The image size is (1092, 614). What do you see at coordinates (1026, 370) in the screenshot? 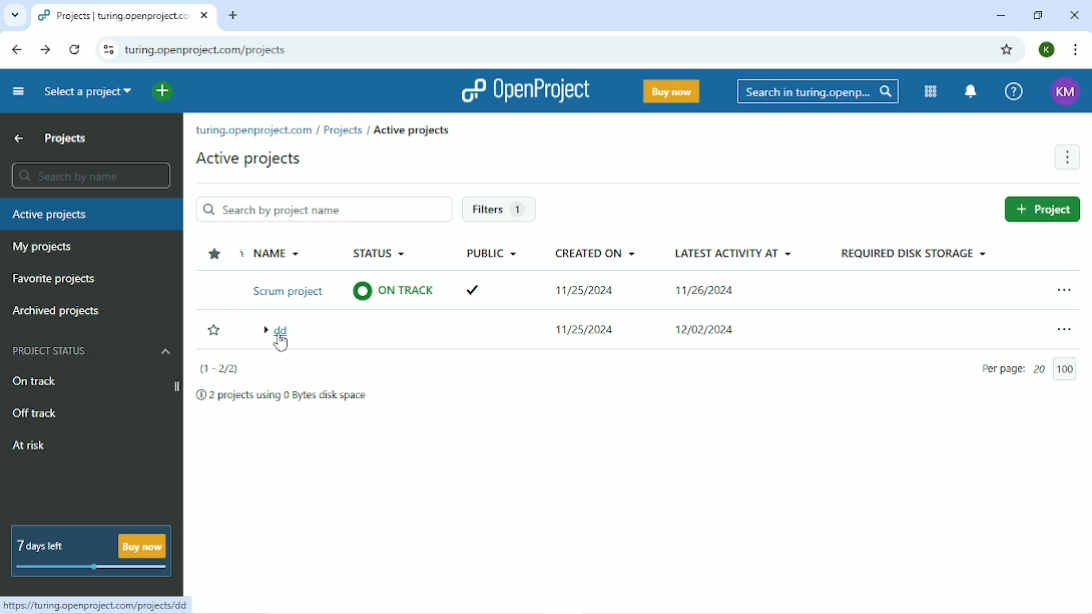
I see `Per page: 20|100` at bounding box center [1026, 370].